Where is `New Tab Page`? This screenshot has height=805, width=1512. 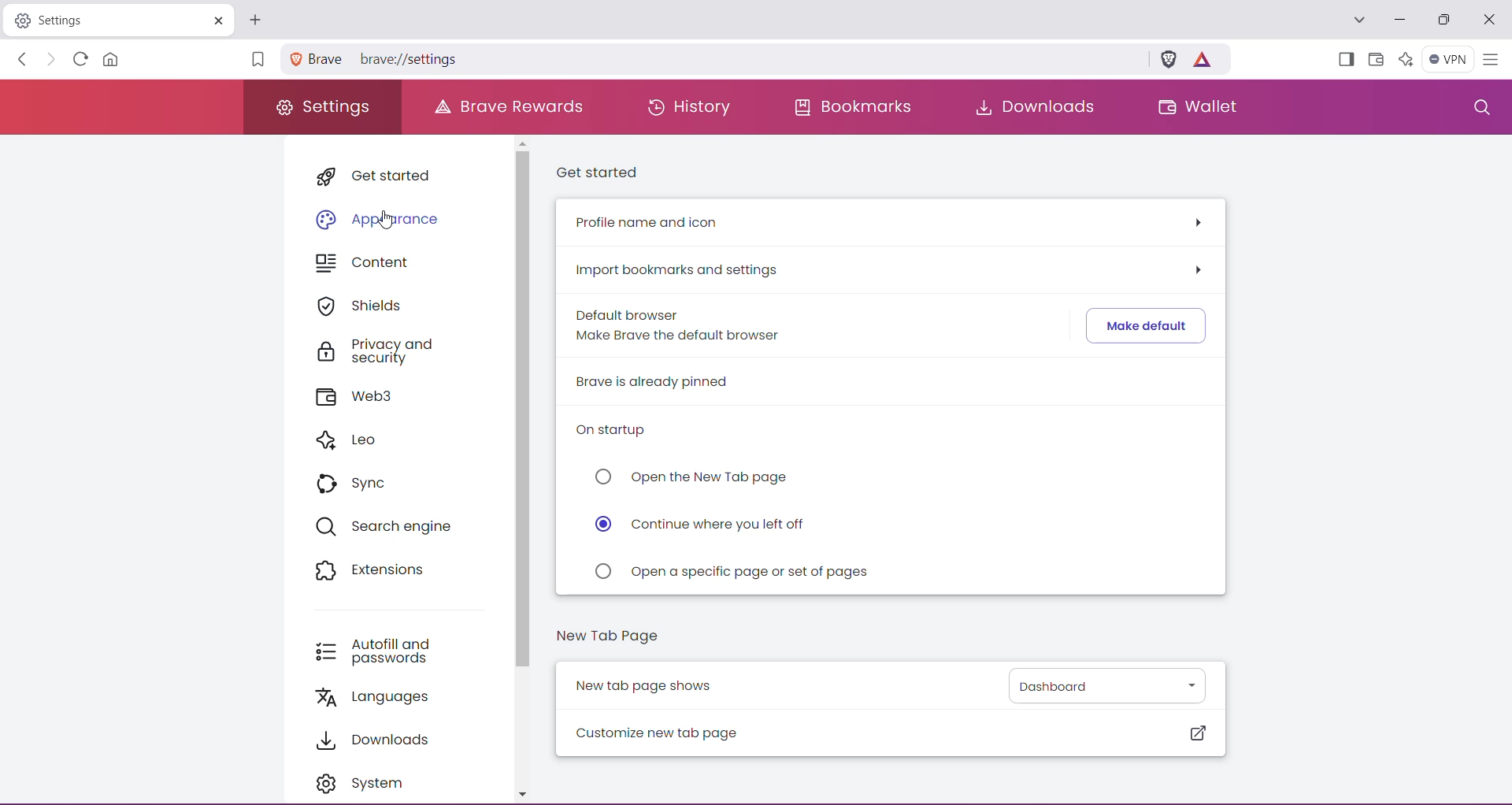 New Tab Page is located at coordinates (610, 636).